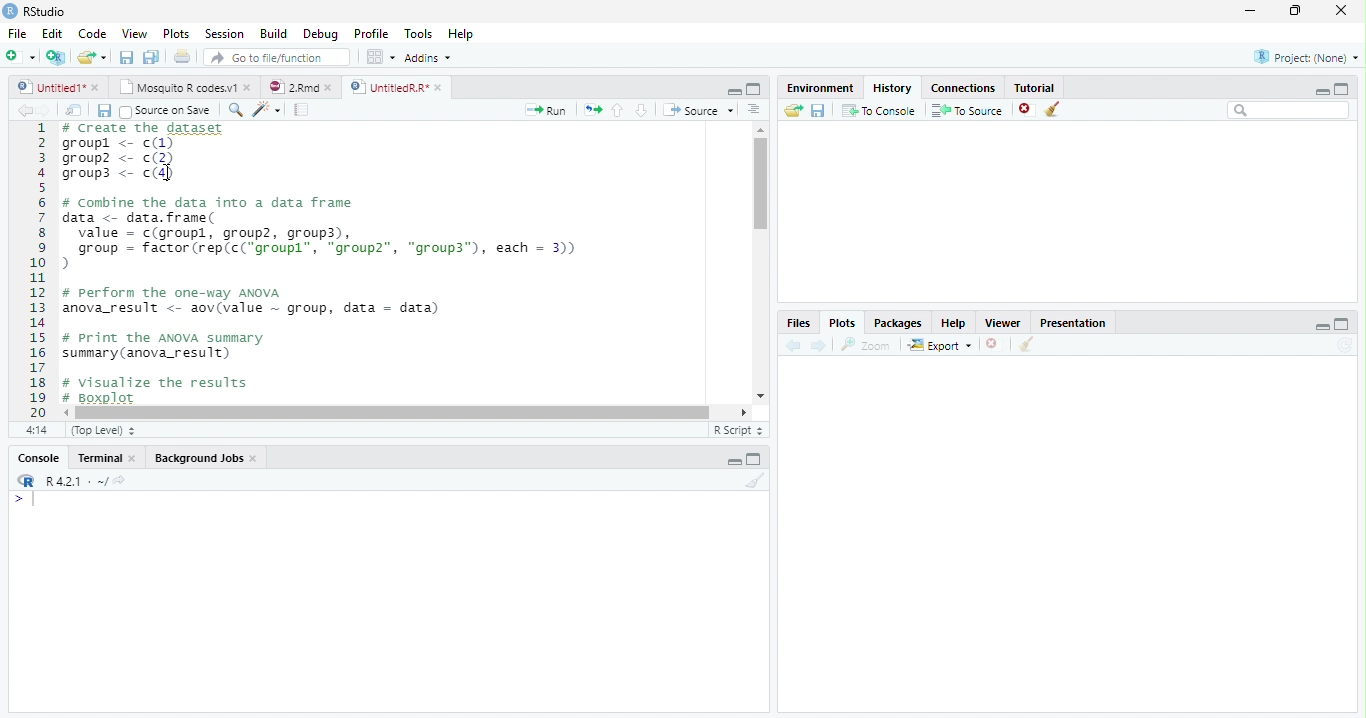 This screenshot has height=718, width=1366. I want to click on maximize, so click(1345, 88).